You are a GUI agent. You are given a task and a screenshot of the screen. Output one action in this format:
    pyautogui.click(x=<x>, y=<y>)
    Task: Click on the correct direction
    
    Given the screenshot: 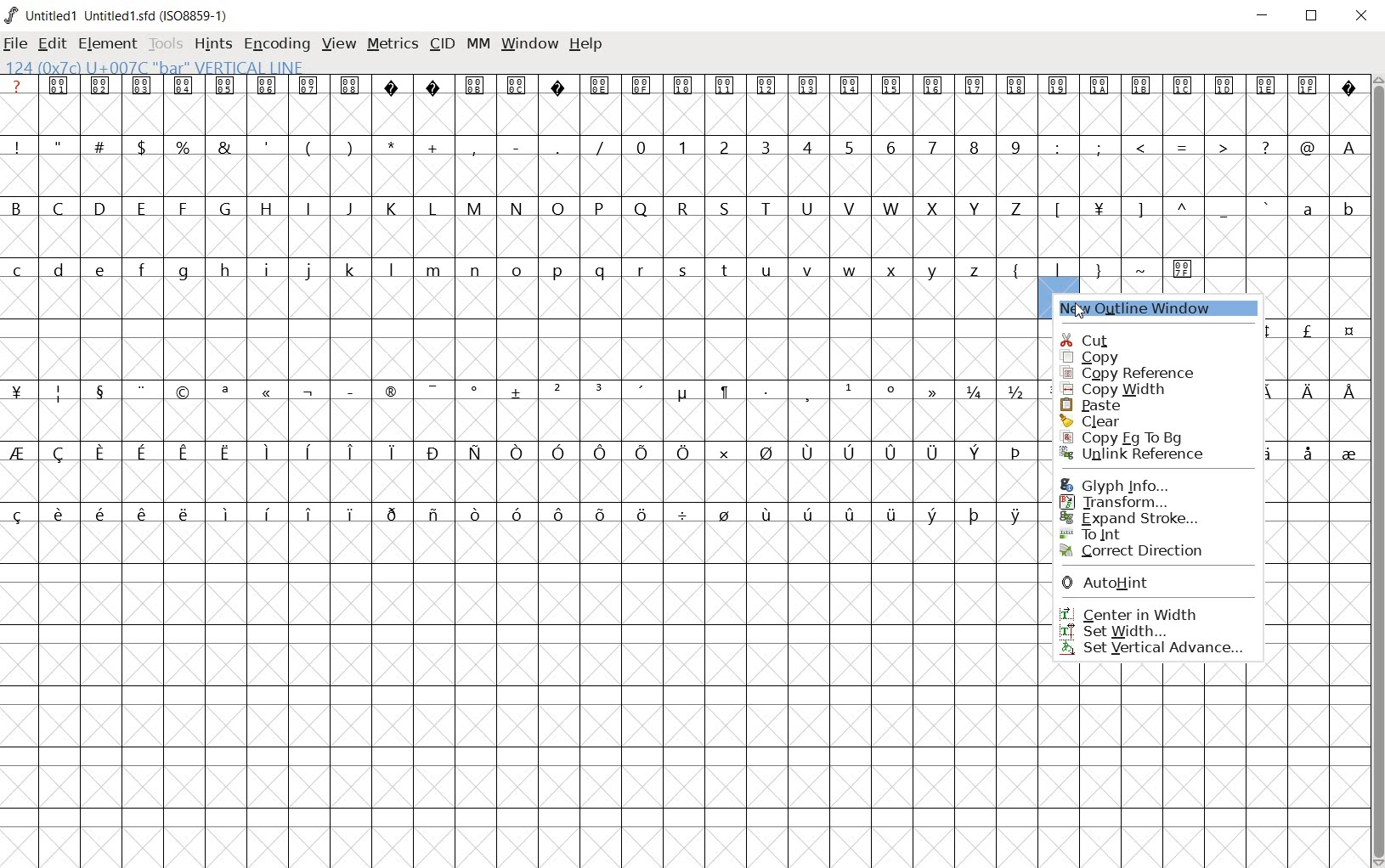 What is the action you would take?
    pyautogui.click(x=1148, y=552)
    